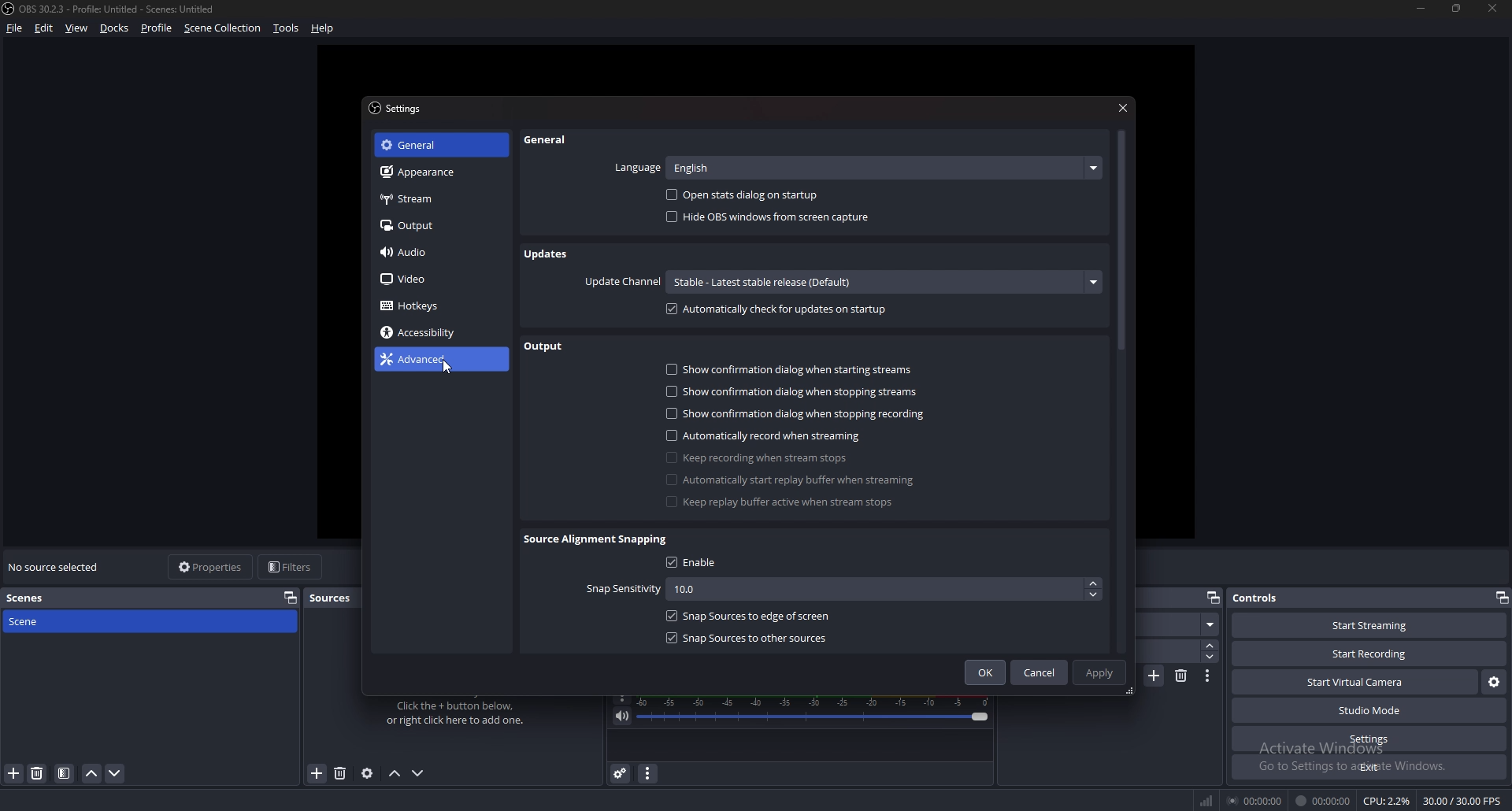 The width and height of the screenshot is (1512, 811). Describe the element at coordinates (340, 773) in the screenshot. I see `remove source` at that location.